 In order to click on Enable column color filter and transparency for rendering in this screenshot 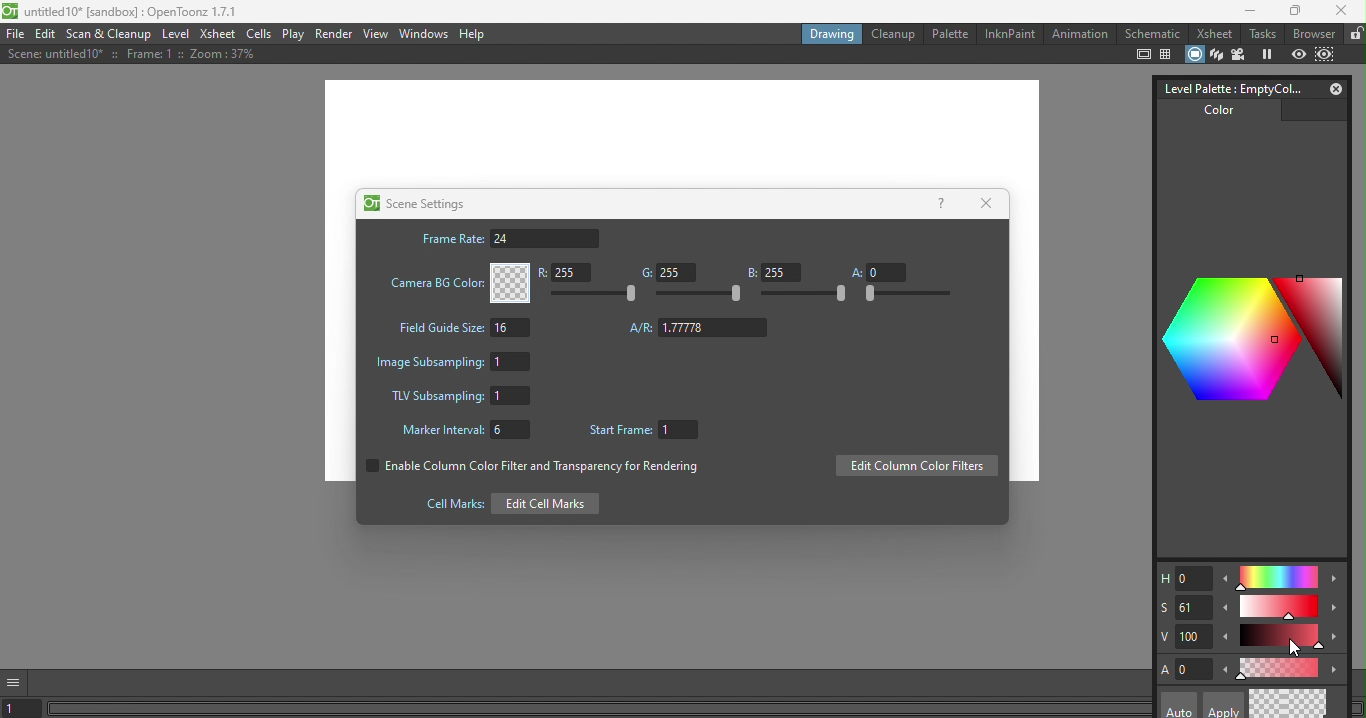, I will do `click(529, 469)`.